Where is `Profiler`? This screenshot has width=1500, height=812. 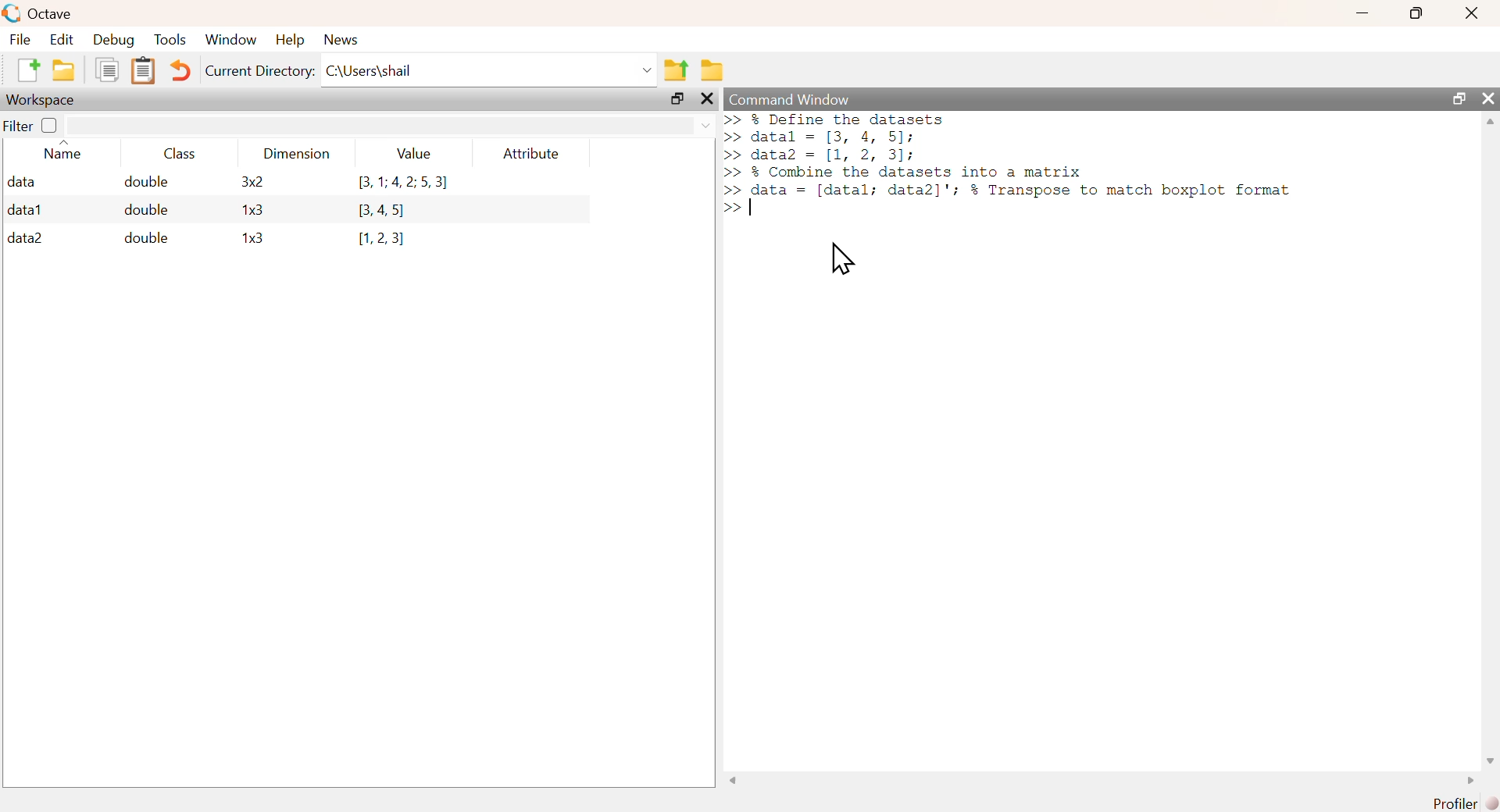 Profiler is located at coordinates (1466, 803).